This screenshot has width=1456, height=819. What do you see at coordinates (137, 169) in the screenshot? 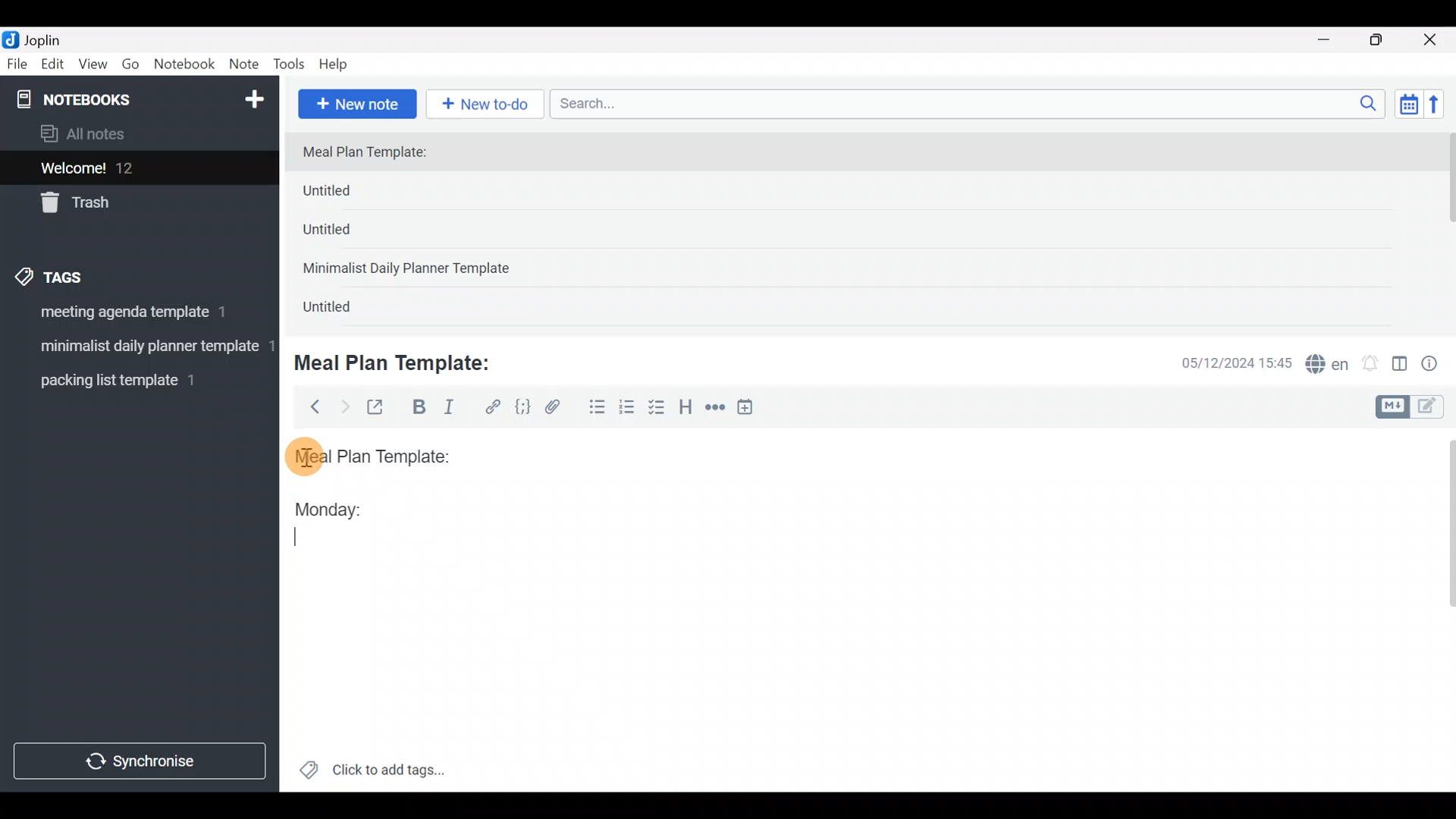
I see `Welcome!` at bounding box center [137, 169].